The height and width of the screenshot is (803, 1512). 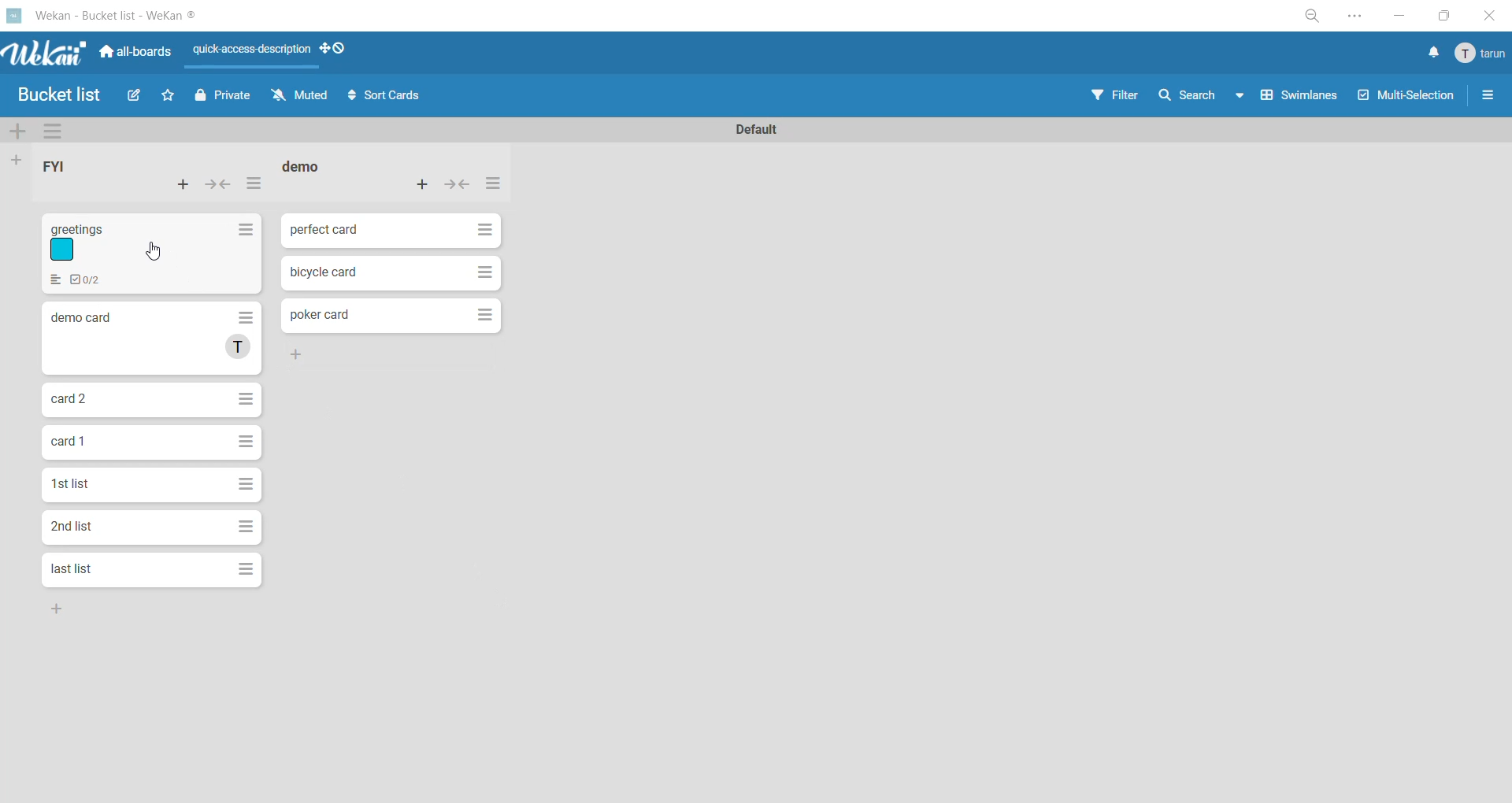 What do you see at coordinates (461, 187) in the screenshot?
I see `collapse` at bounding box center [461, 187].